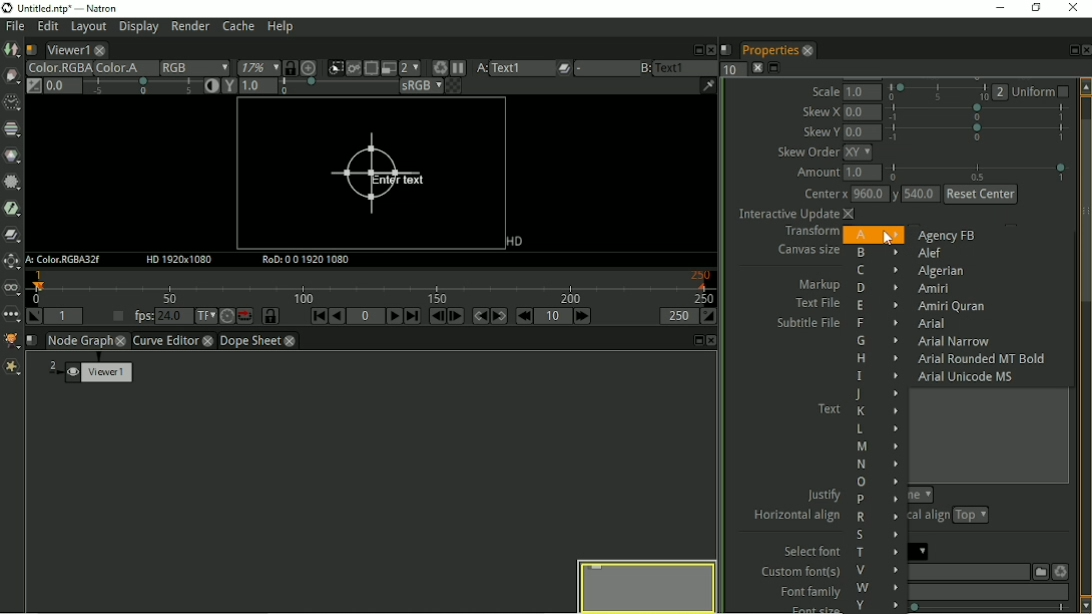 The height and width of the screenshot is (614, 1092). I want to click on Gain, so click(61, 85).